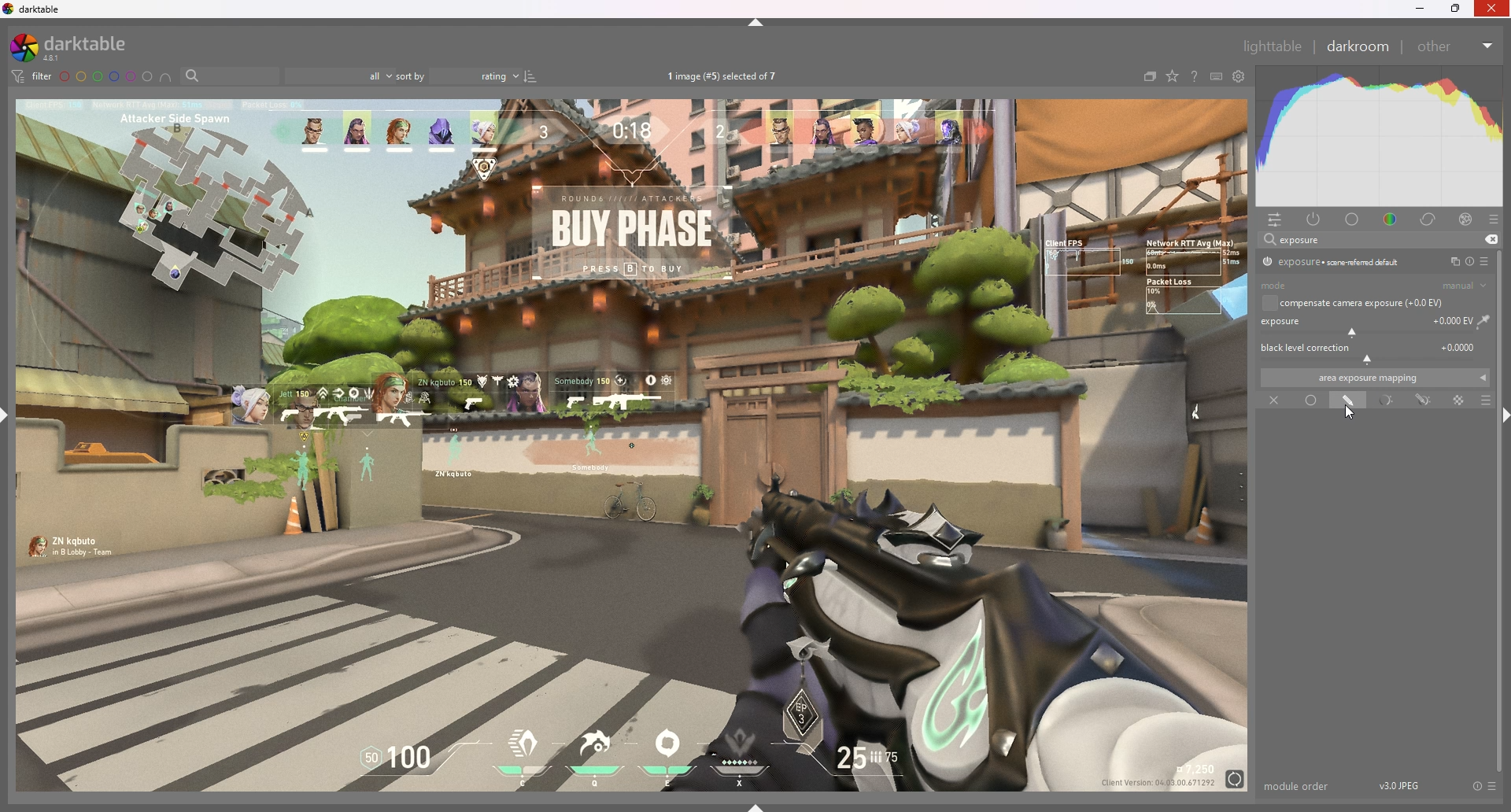 The height and width of the screenshot is (812, 1511). Describe the element at coordinates (1426, 400) in the screenshot. I see `drawn and parametric mask` at that location.